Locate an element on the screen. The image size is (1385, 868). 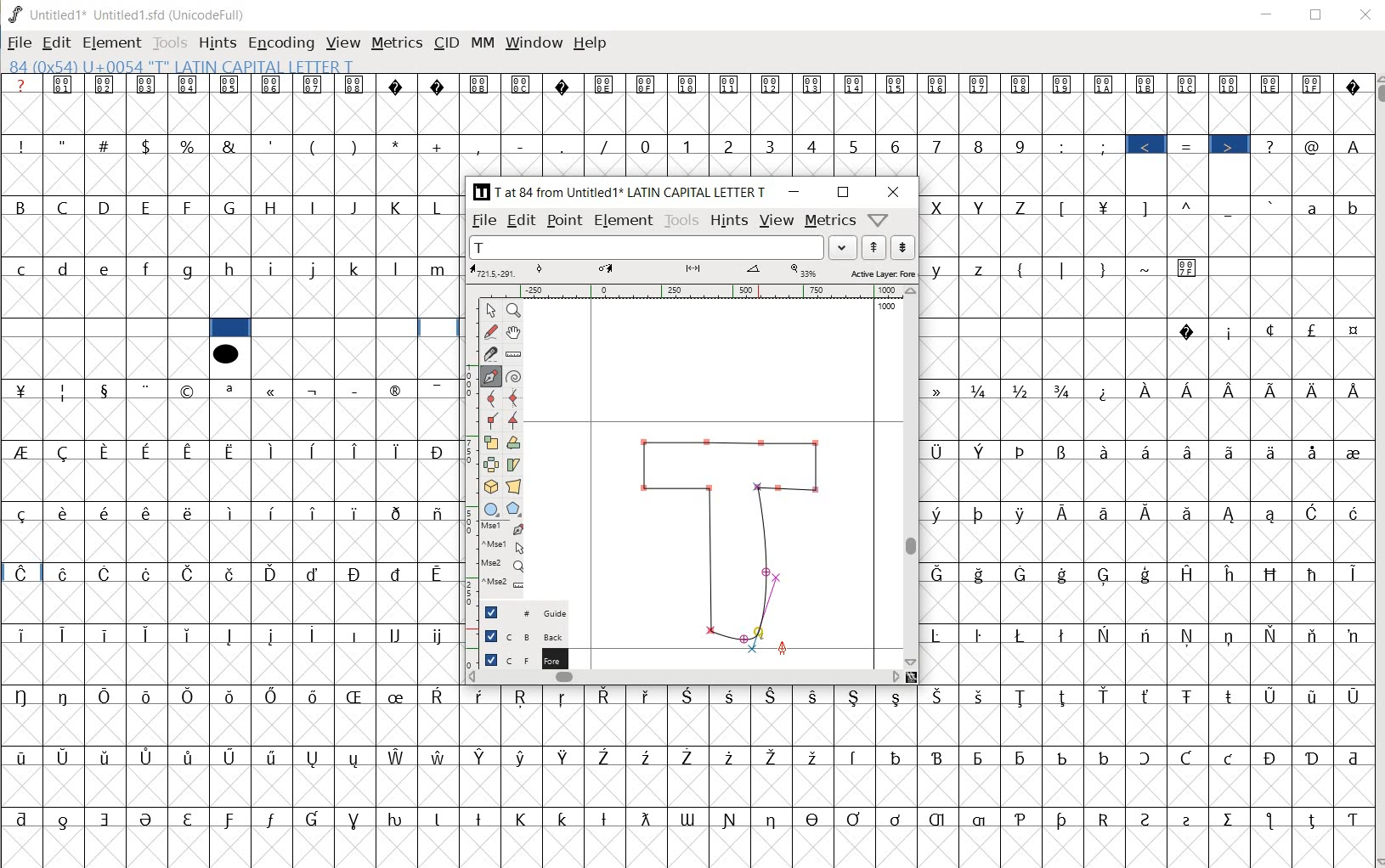
Symbol is located at coordinates (20, 513).